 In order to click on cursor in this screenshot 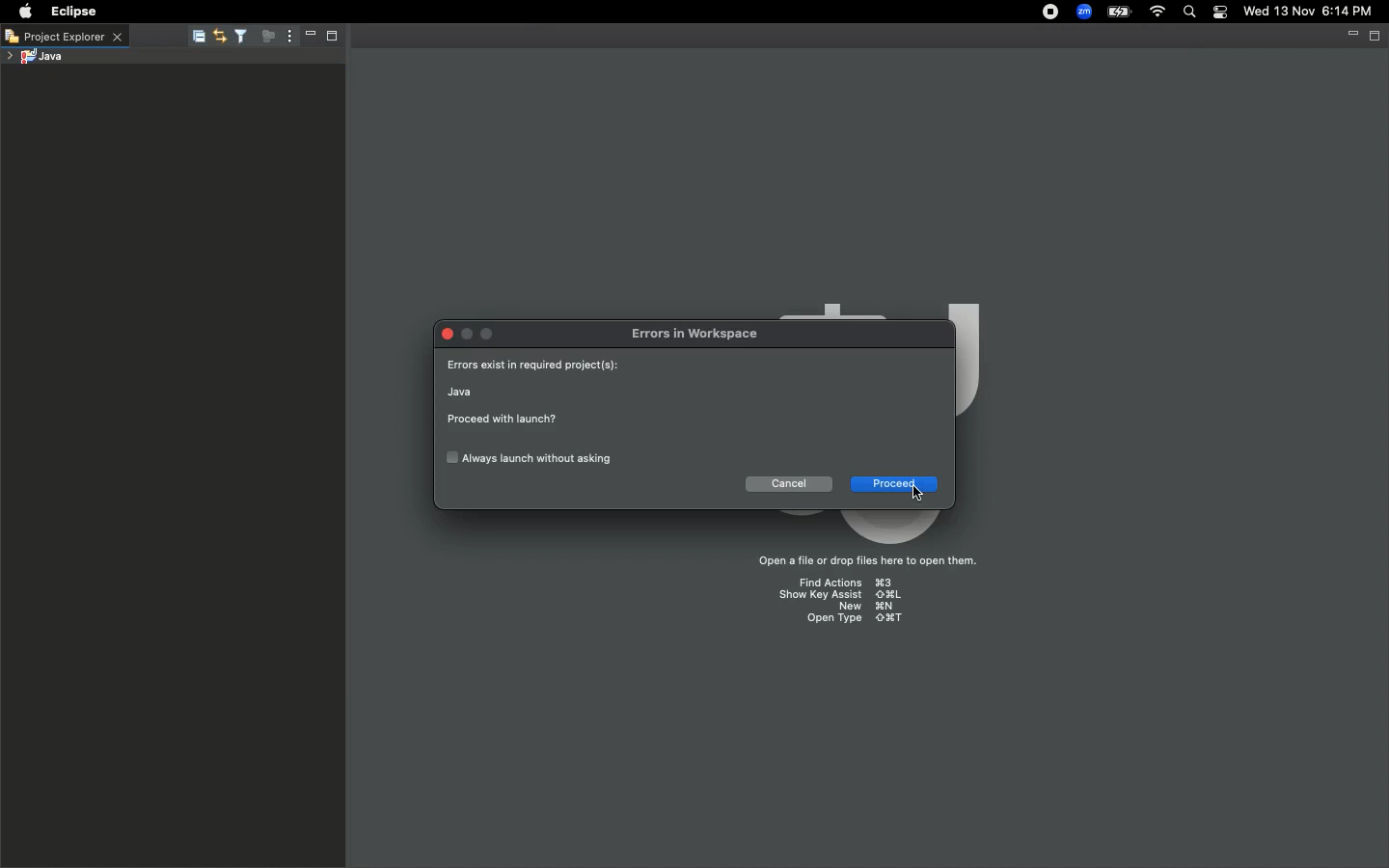, I will do `click(916, 496)`.